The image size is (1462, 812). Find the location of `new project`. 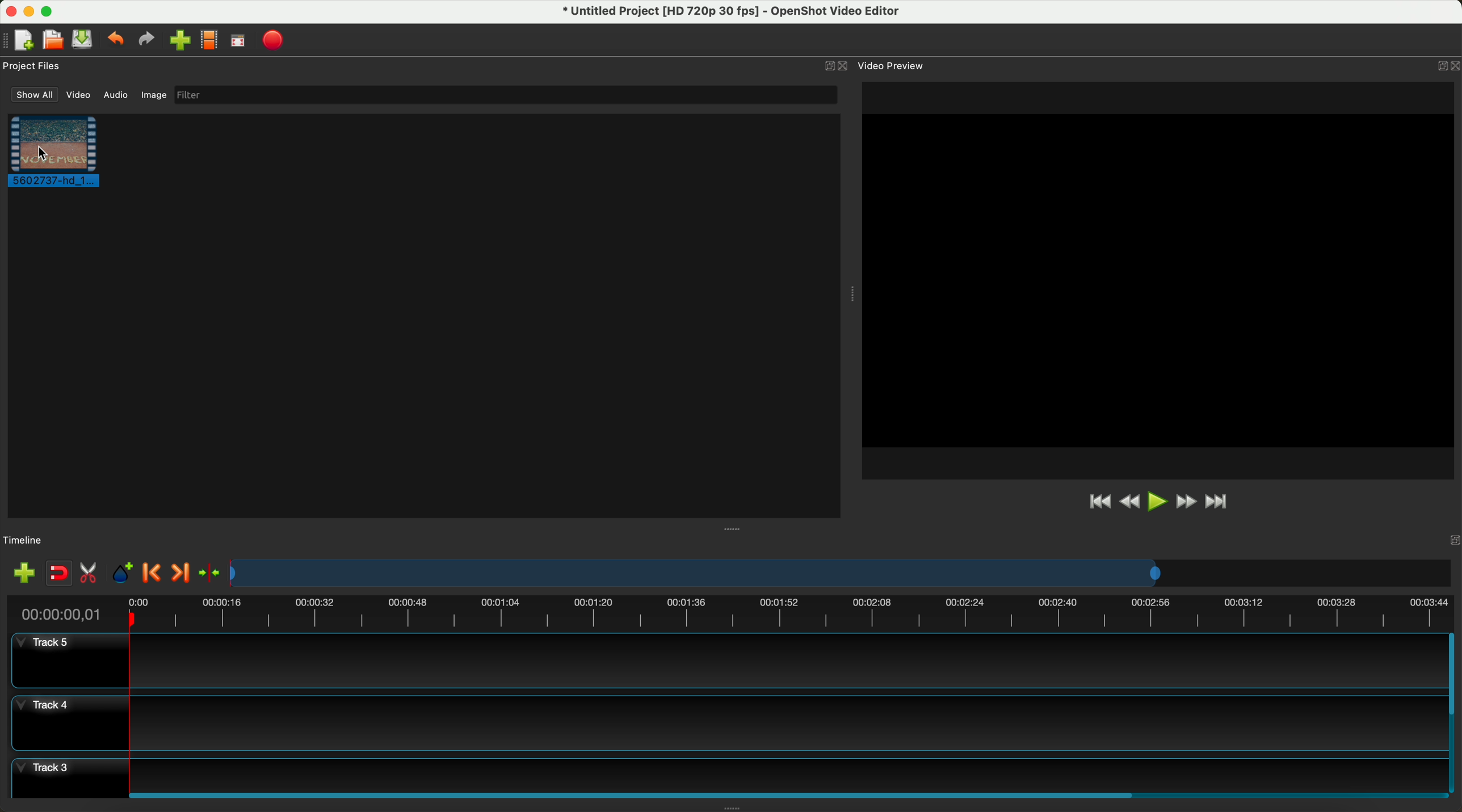

new project is located at coordinates (26, 39).